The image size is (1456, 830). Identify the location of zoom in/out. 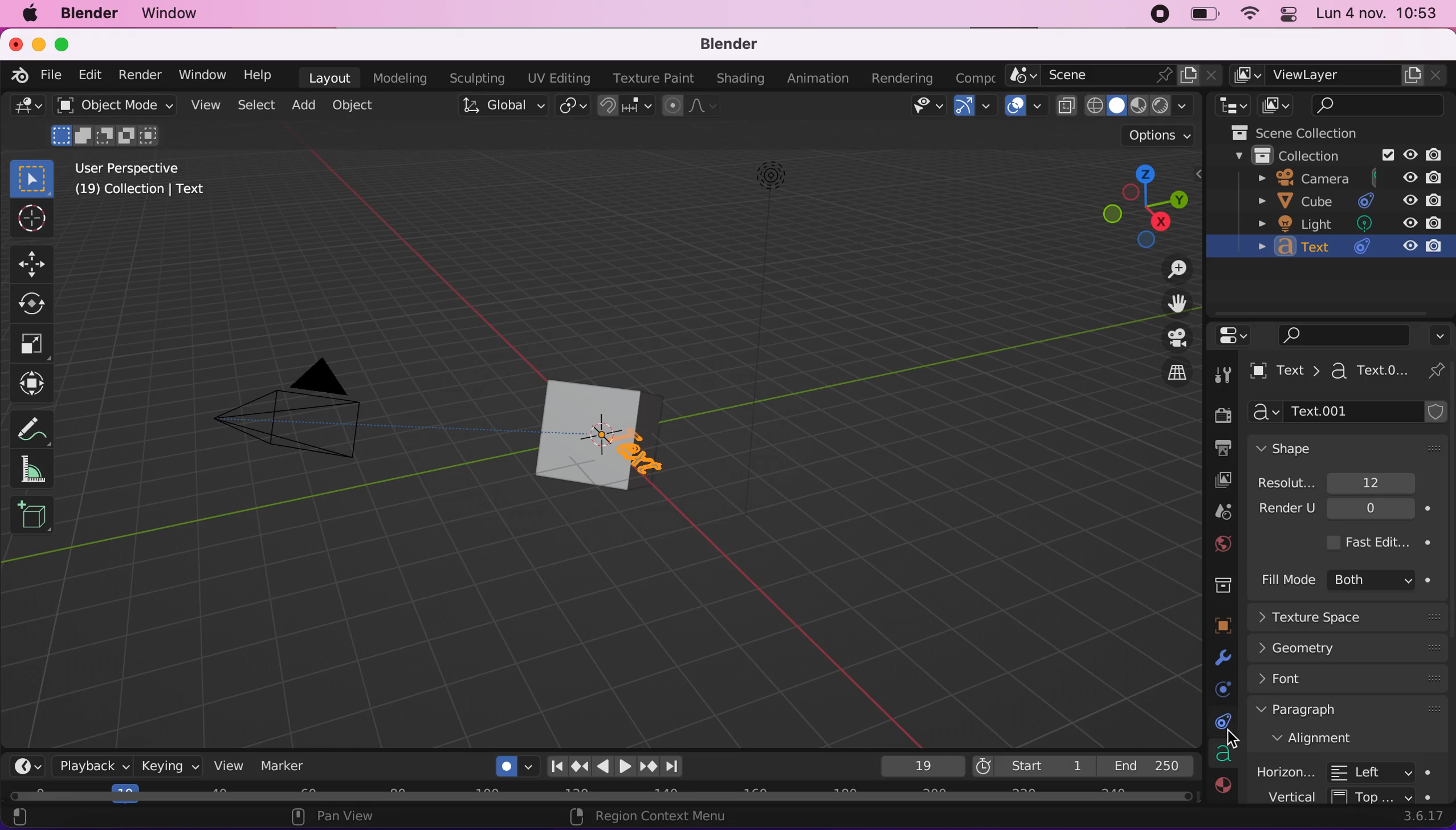
(1173, 272).